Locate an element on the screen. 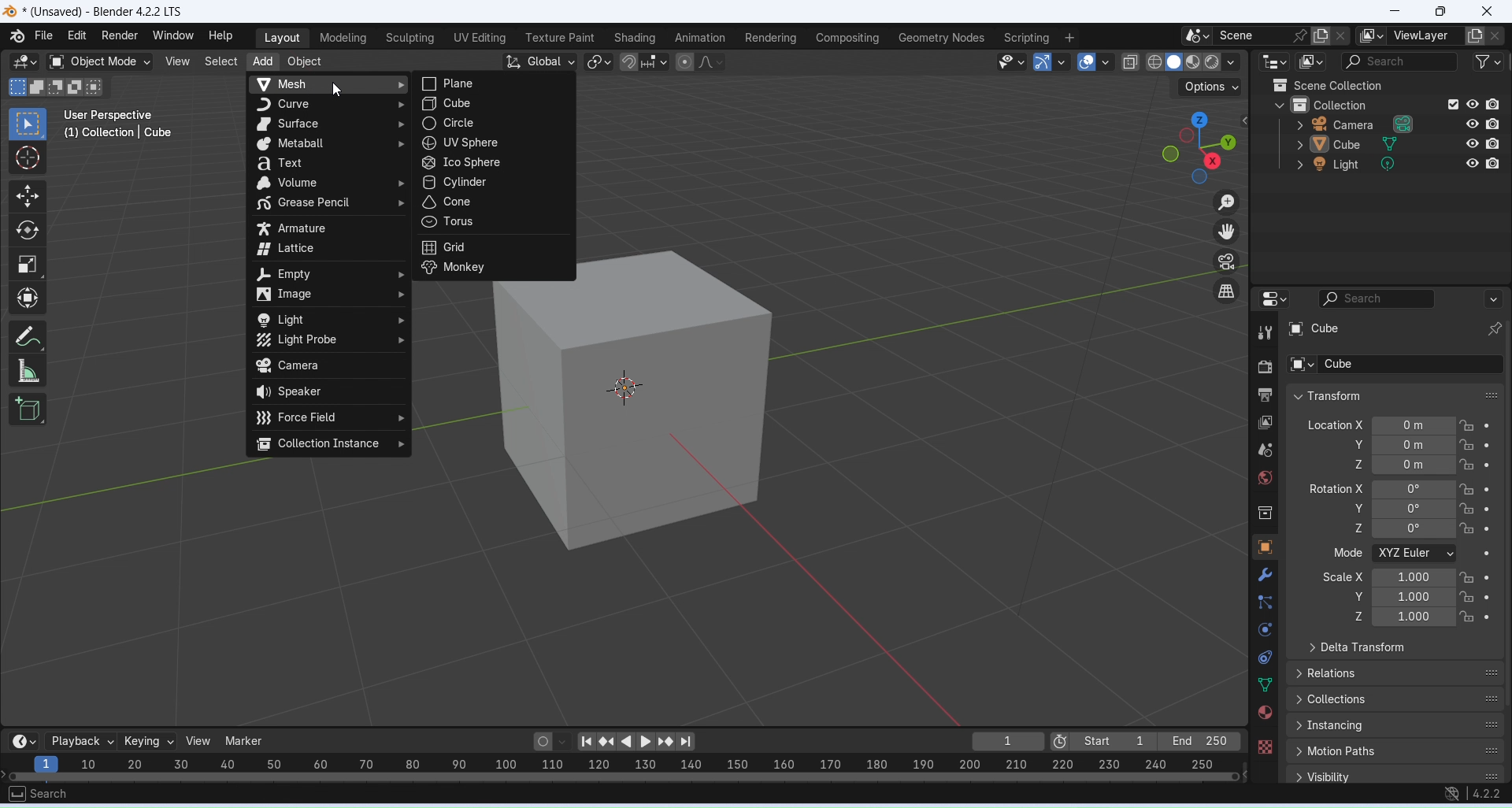  Cube layer is located at coordinates (1396, 328).